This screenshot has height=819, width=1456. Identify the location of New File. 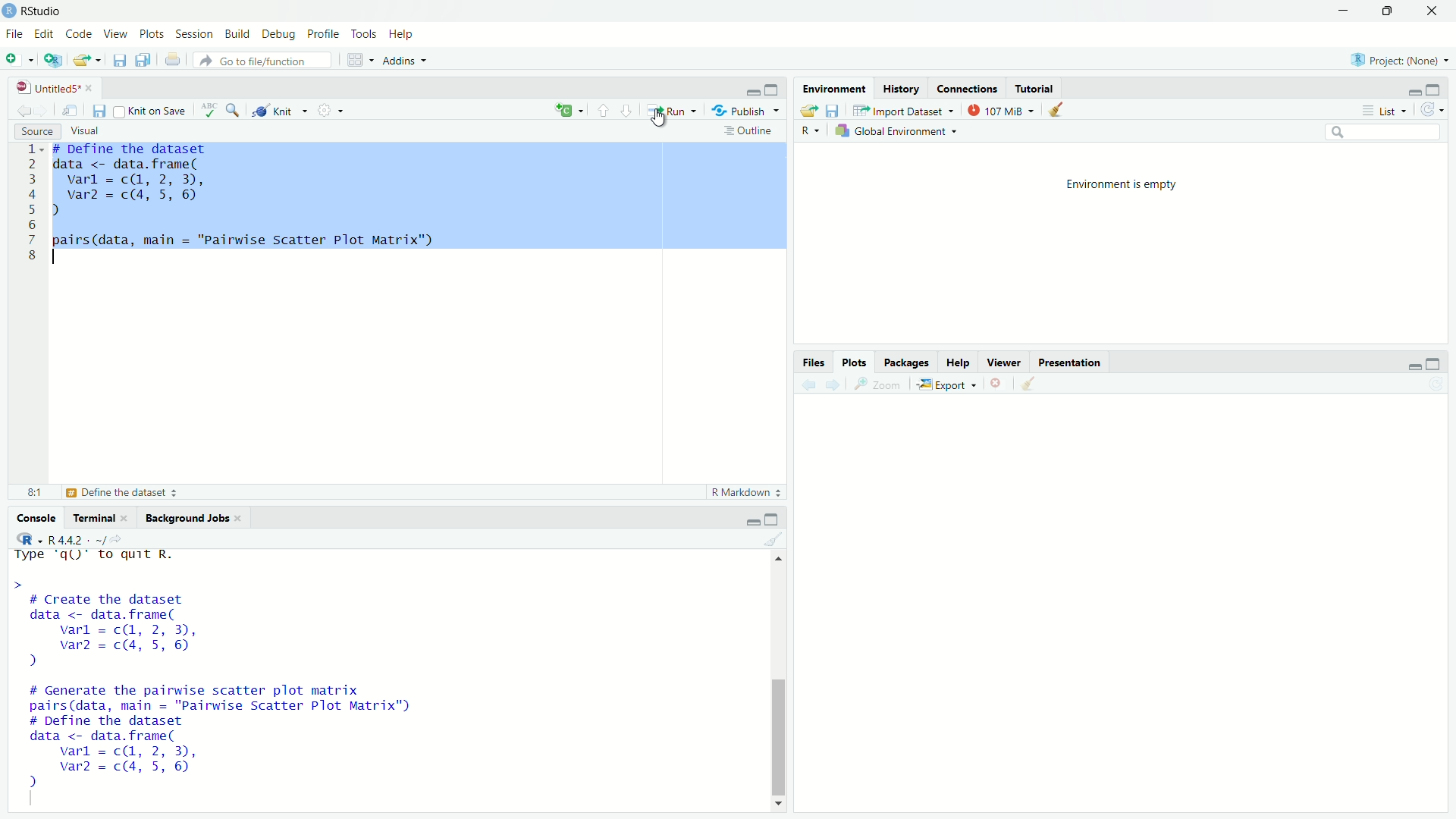
(18, 58).